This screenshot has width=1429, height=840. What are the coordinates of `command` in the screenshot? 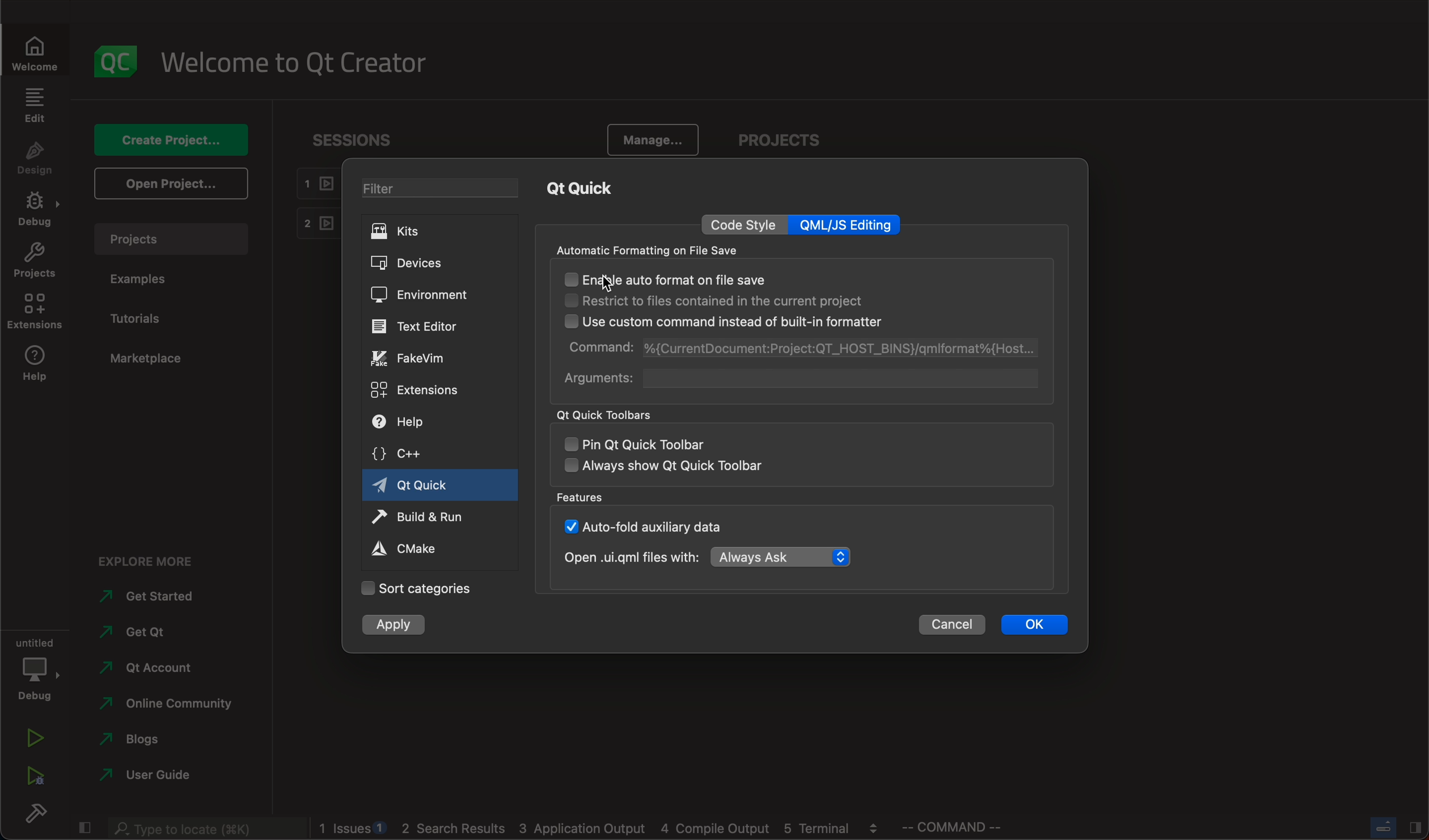 It's located at (964, 828).